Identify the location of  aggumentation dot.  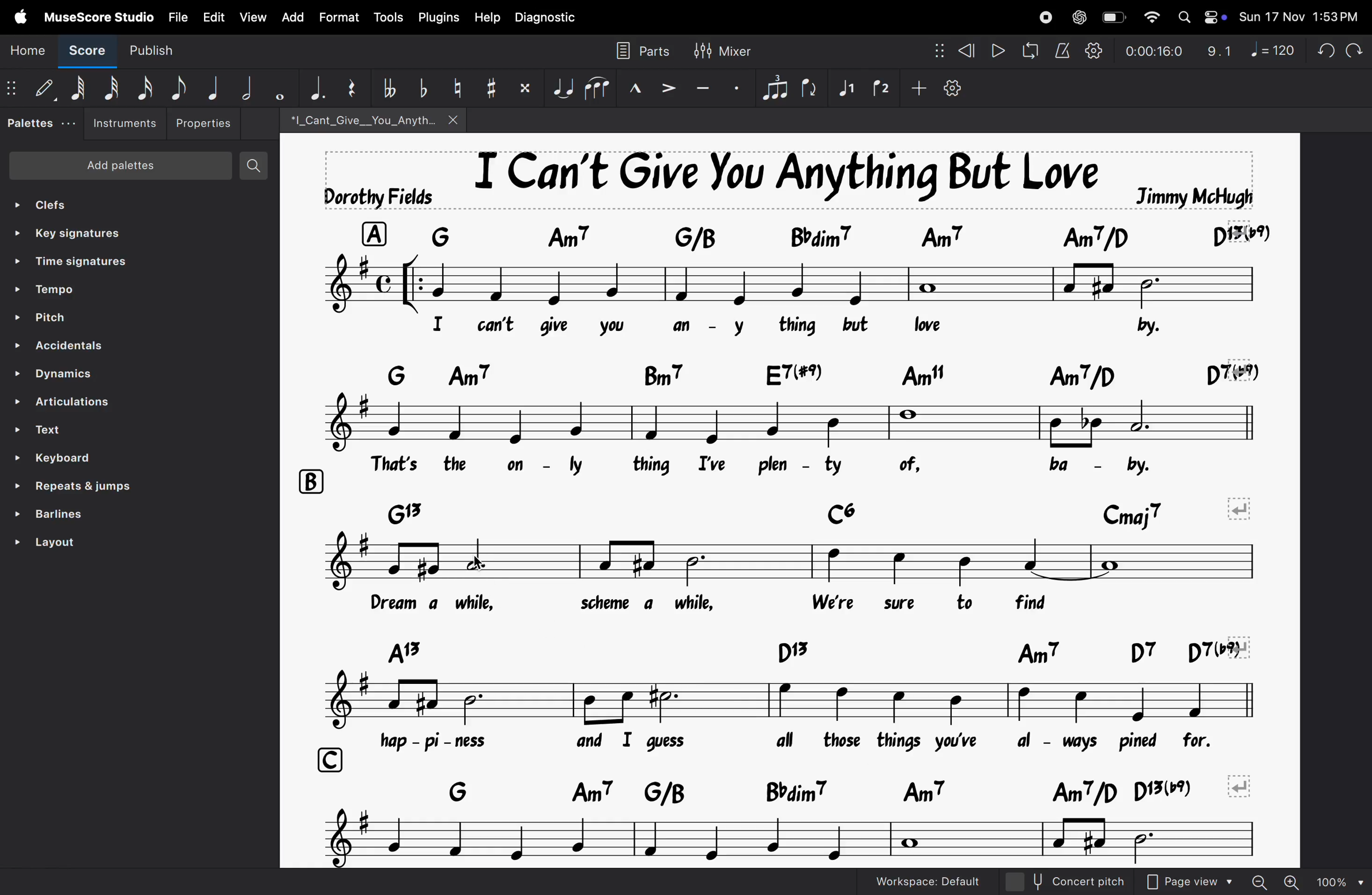
(312, 87).